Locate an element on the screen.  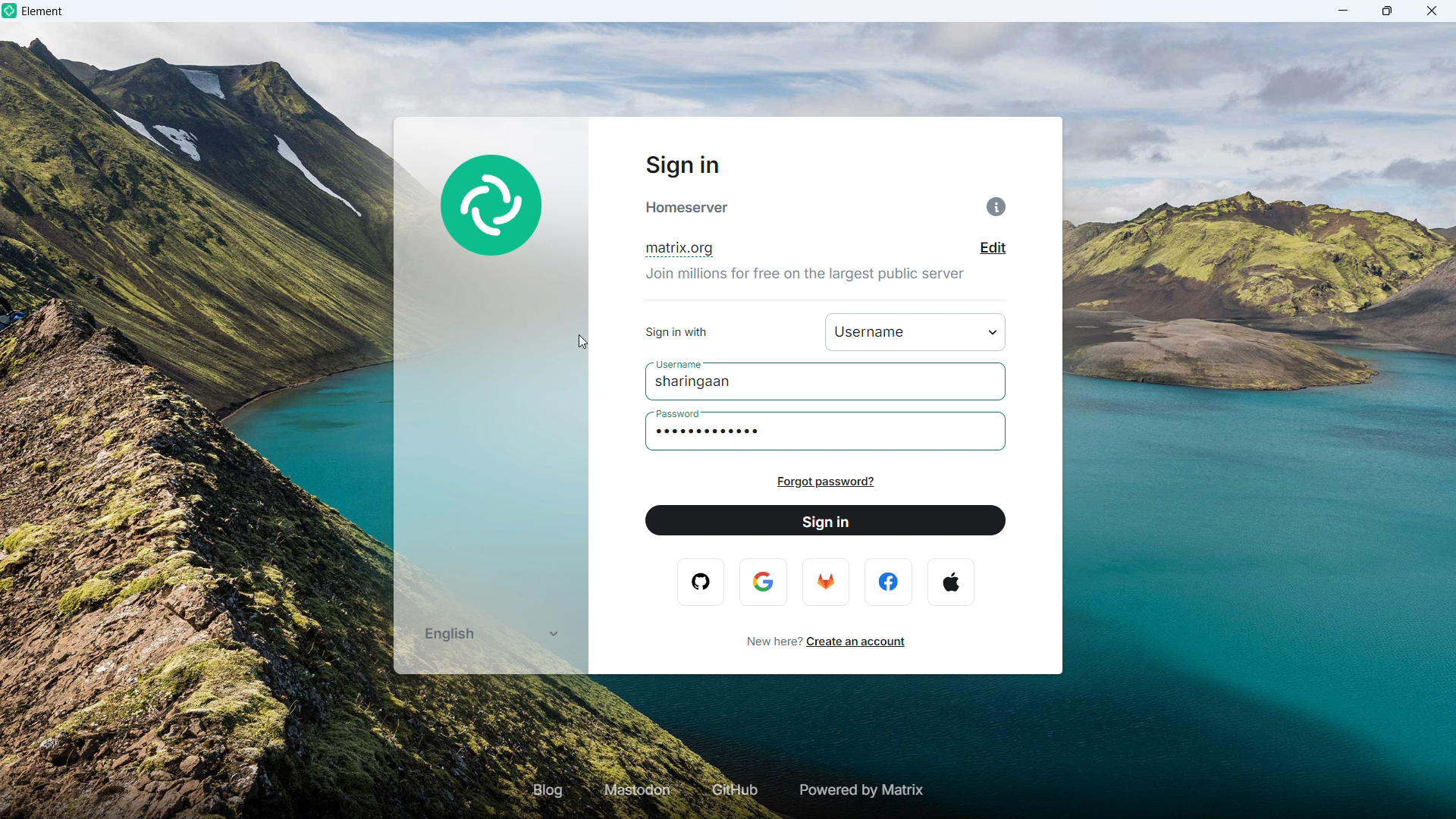
Password typed in  is located at coordinates (721, 431).